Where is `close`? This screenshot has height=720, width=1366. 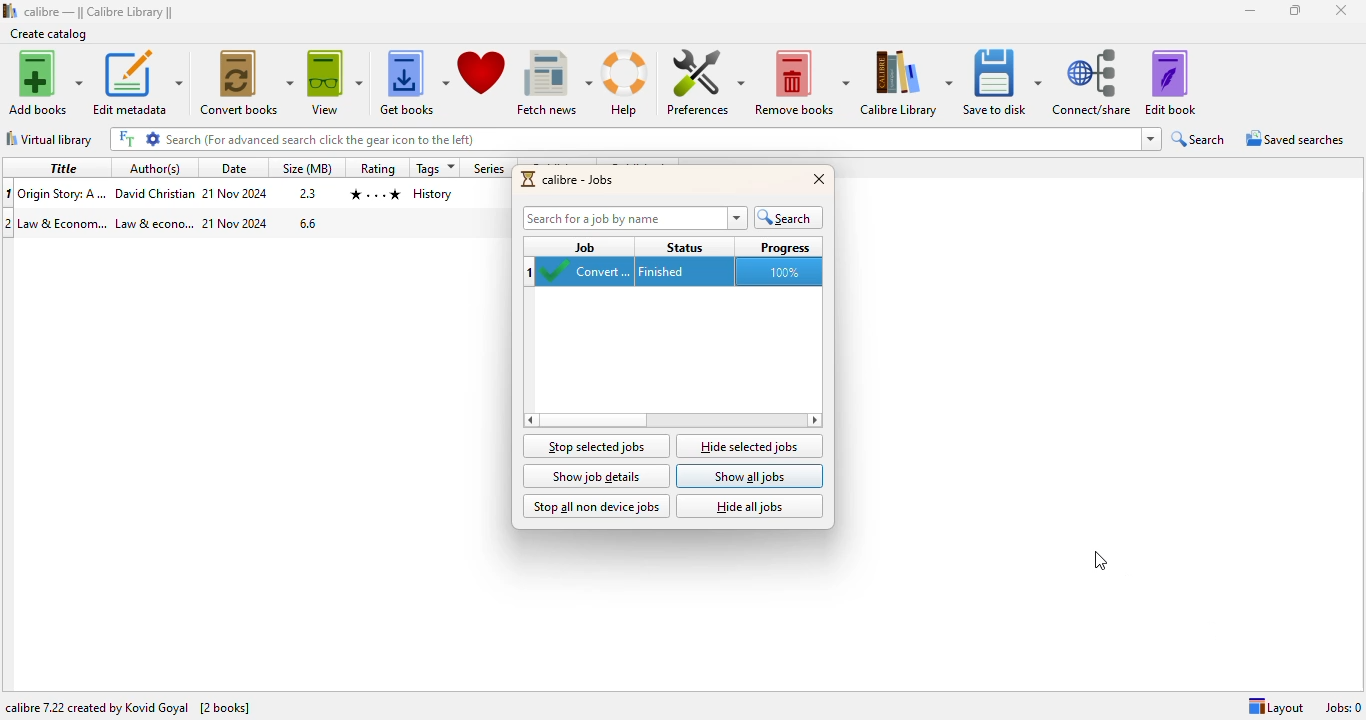
close is located at coordinates (820, 178).